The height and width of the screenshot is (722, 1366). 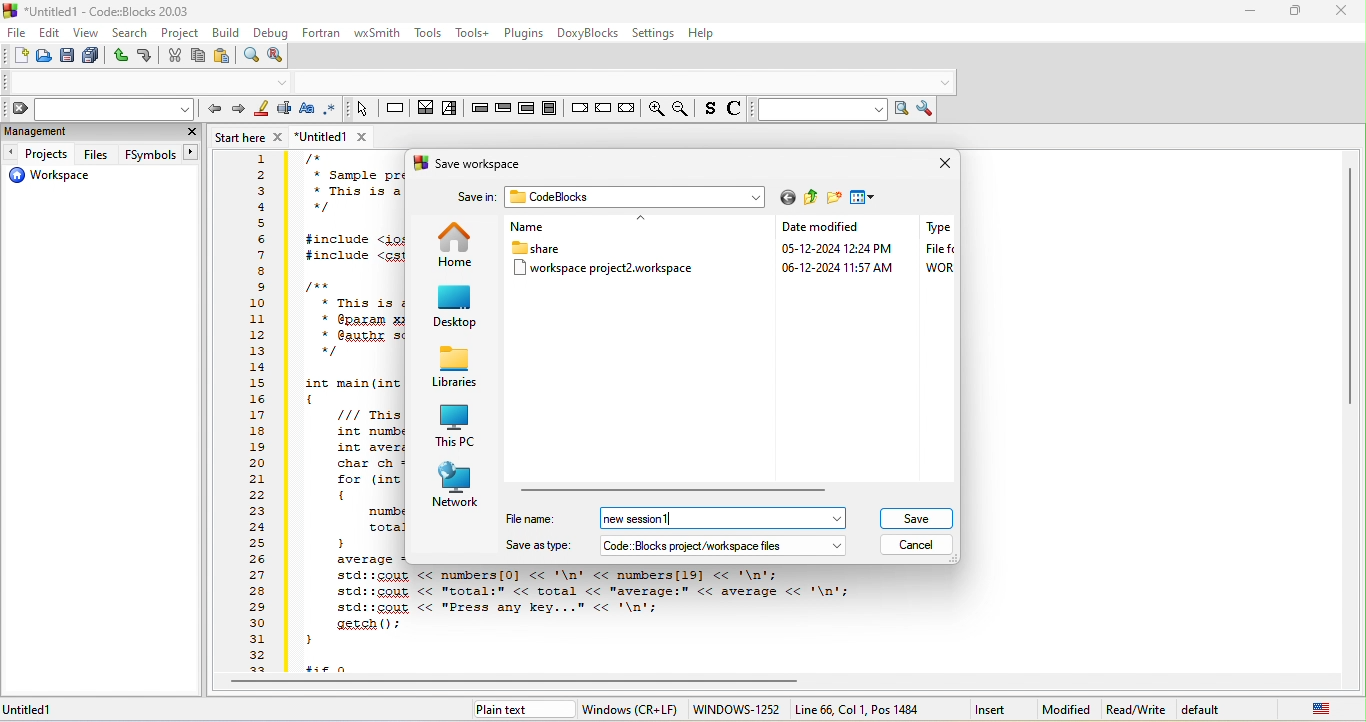 I want to click on view menu, so click(x=864, y=198).